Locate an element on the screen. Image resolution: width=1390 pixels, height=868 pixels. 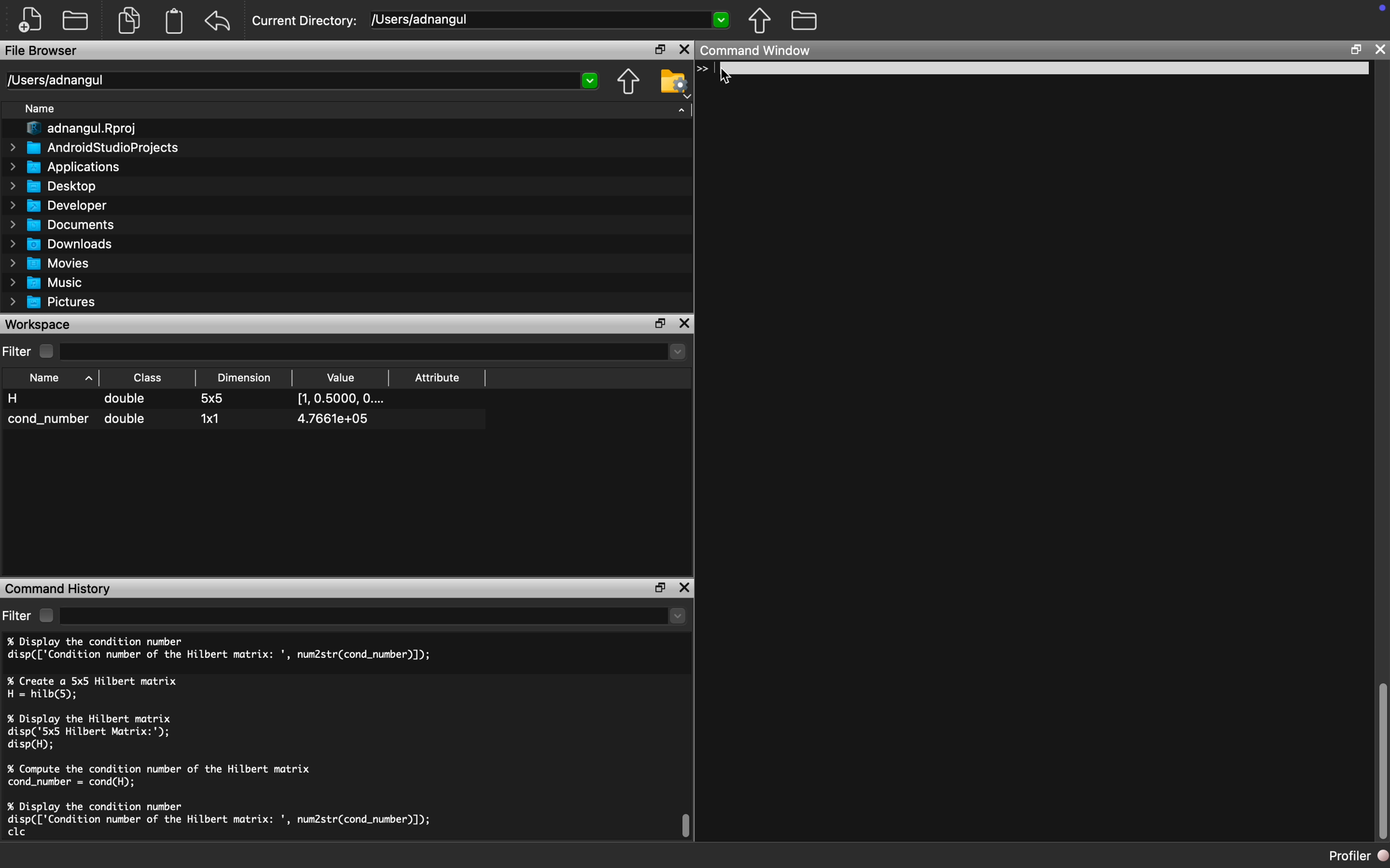
Redo is located at coordinates (219, 21).